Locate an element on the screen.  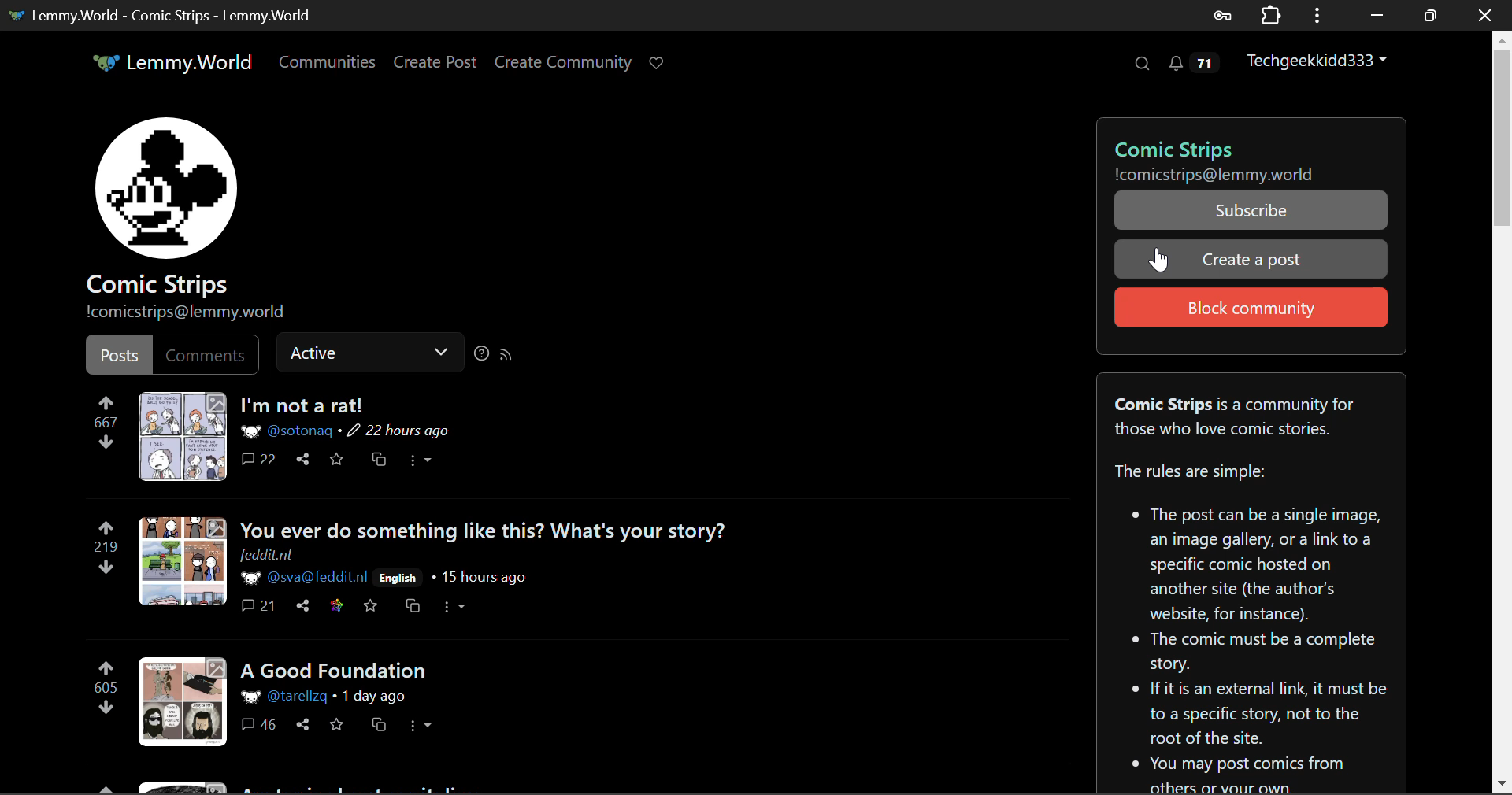
Comments is located at coordinates (259, 459).